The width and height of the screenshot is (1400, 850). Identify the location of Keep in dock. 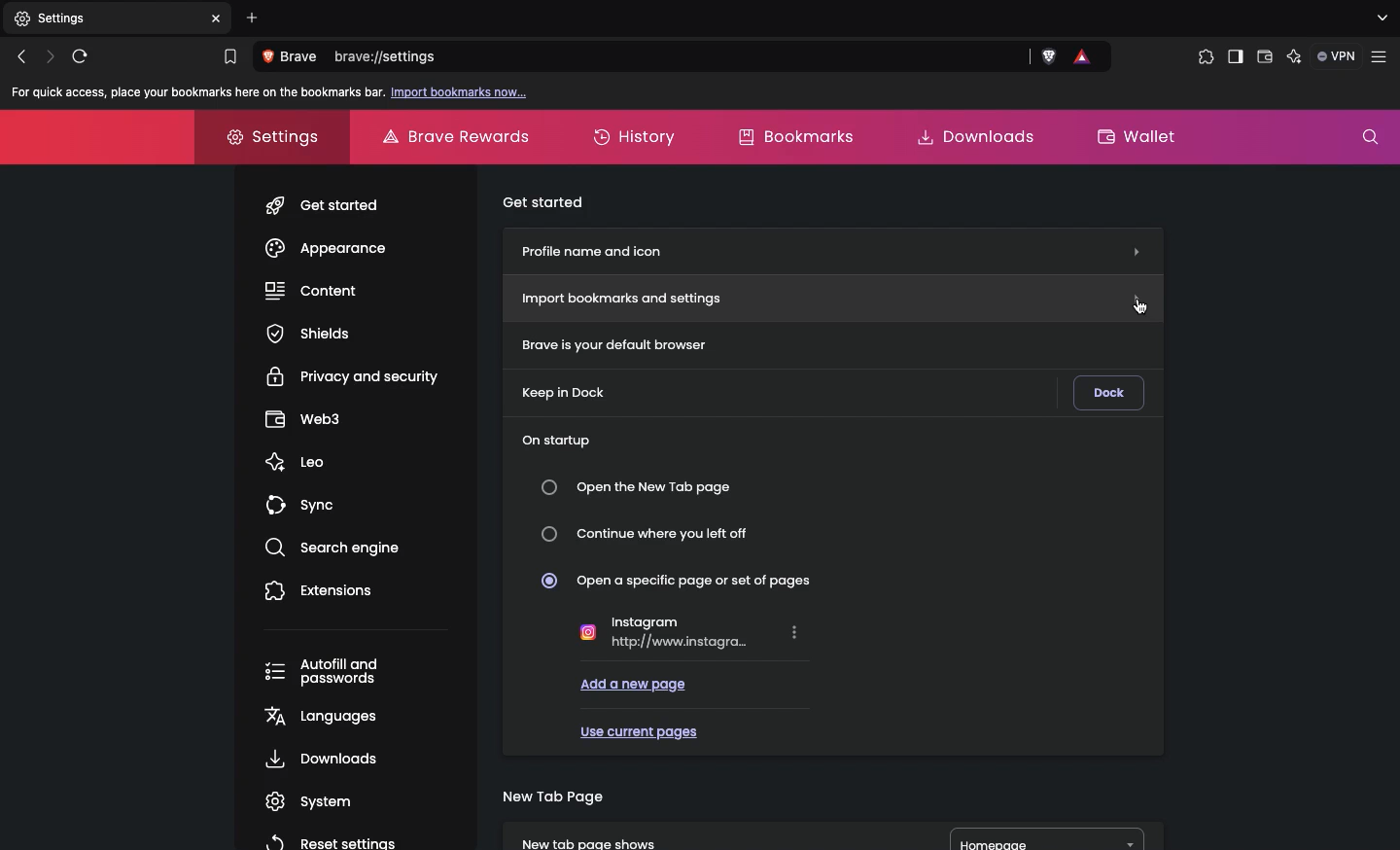
(566, 393).